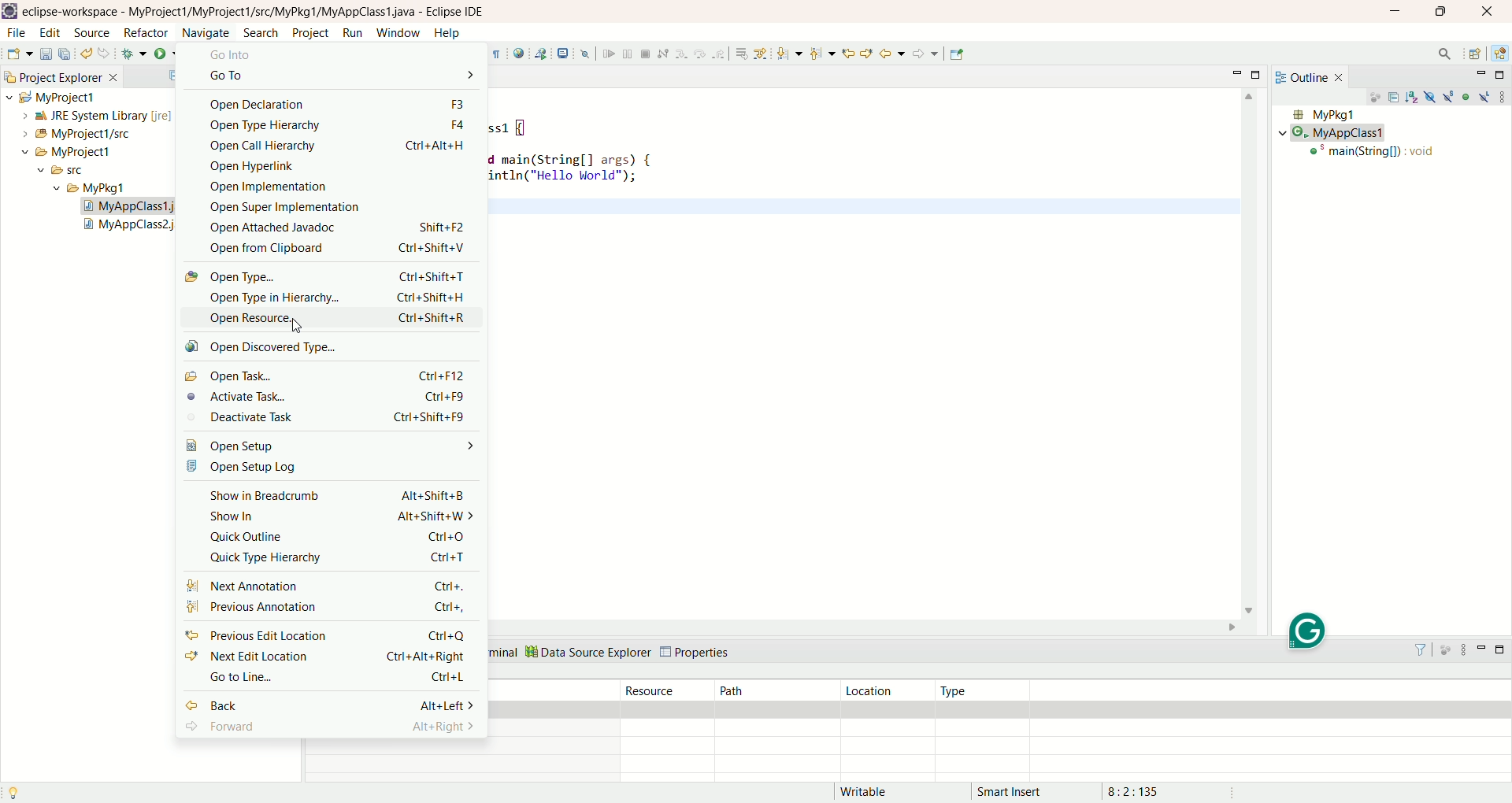  What do you see at coordinates (822, 54) in the screenshot?
I see `previous annotation` at bounding box center [822, 54].